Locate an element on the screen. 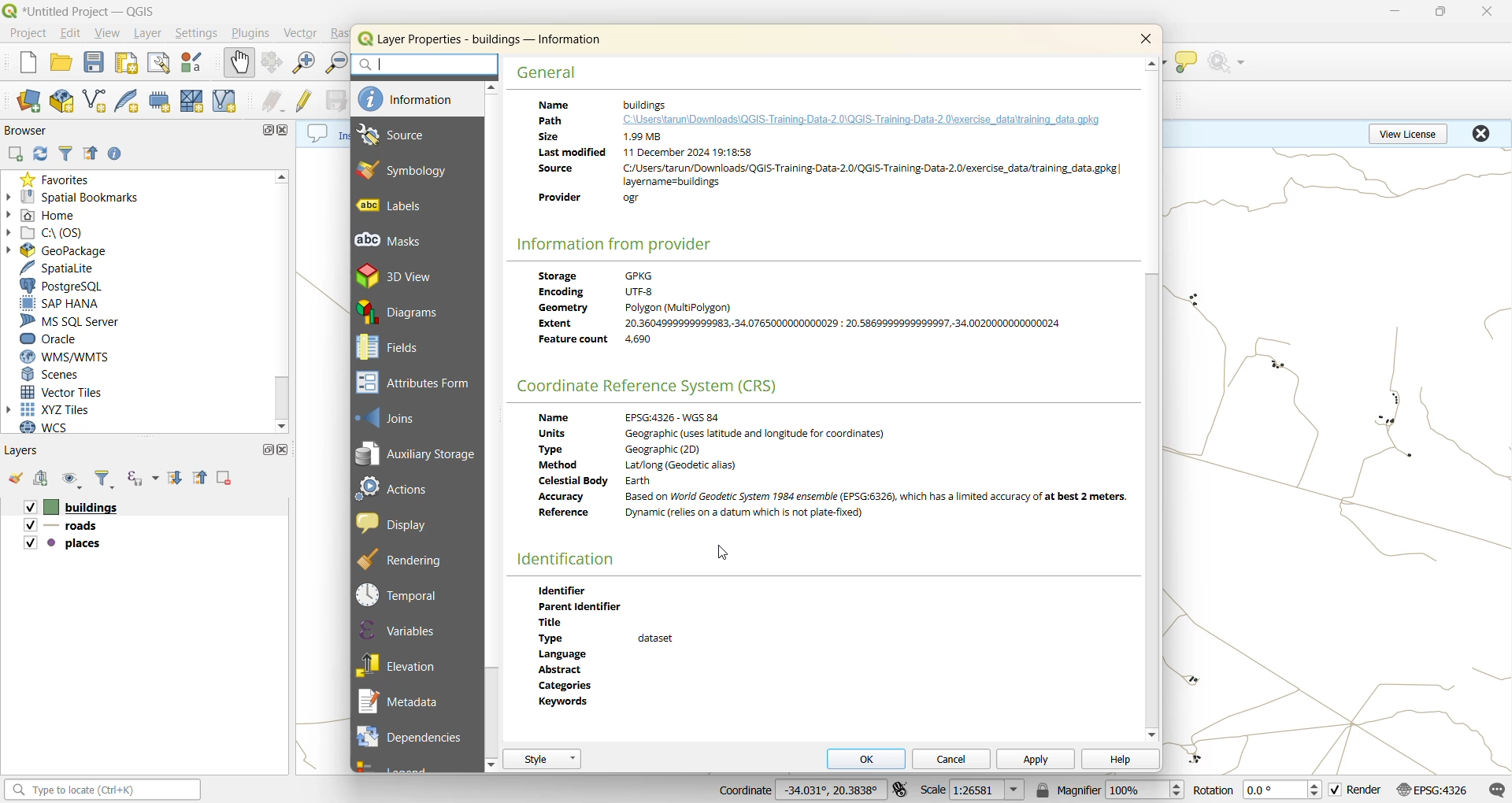 This screenshot has width=1512, height=803. view license is located at coordinates (1417, 132).